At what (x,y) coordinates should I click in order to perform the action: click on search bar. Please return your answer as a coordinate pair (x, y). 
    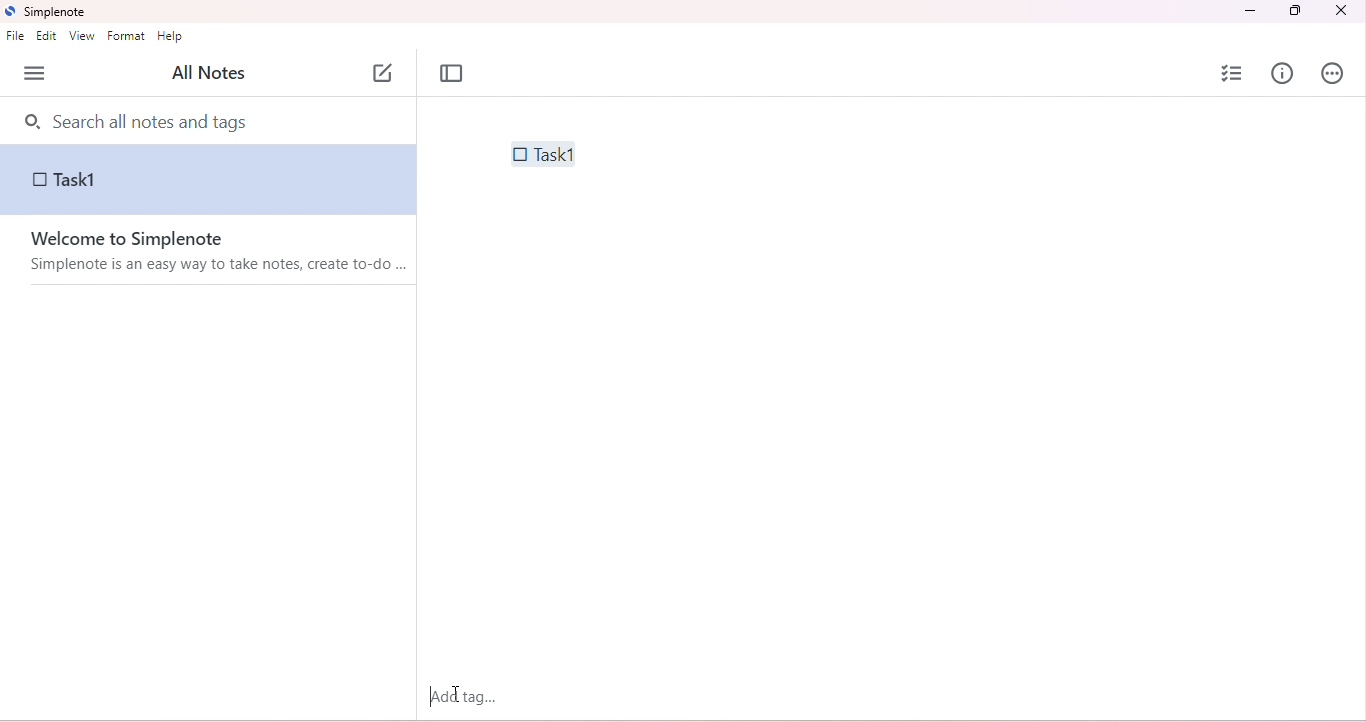
    Looking at the image, I should click on (212, 120).